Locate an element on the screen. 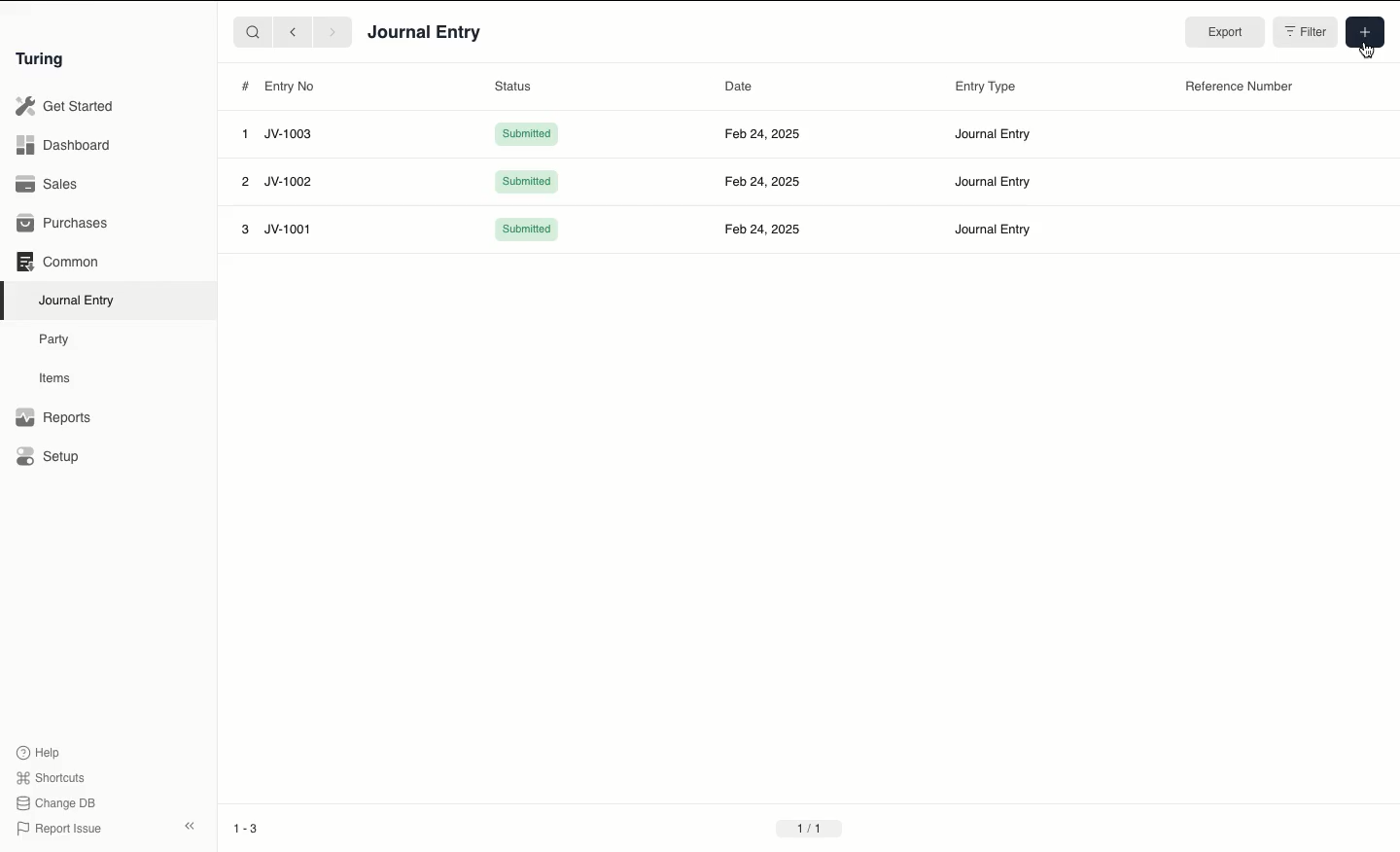  Export is located at coordinates (1222, 32).